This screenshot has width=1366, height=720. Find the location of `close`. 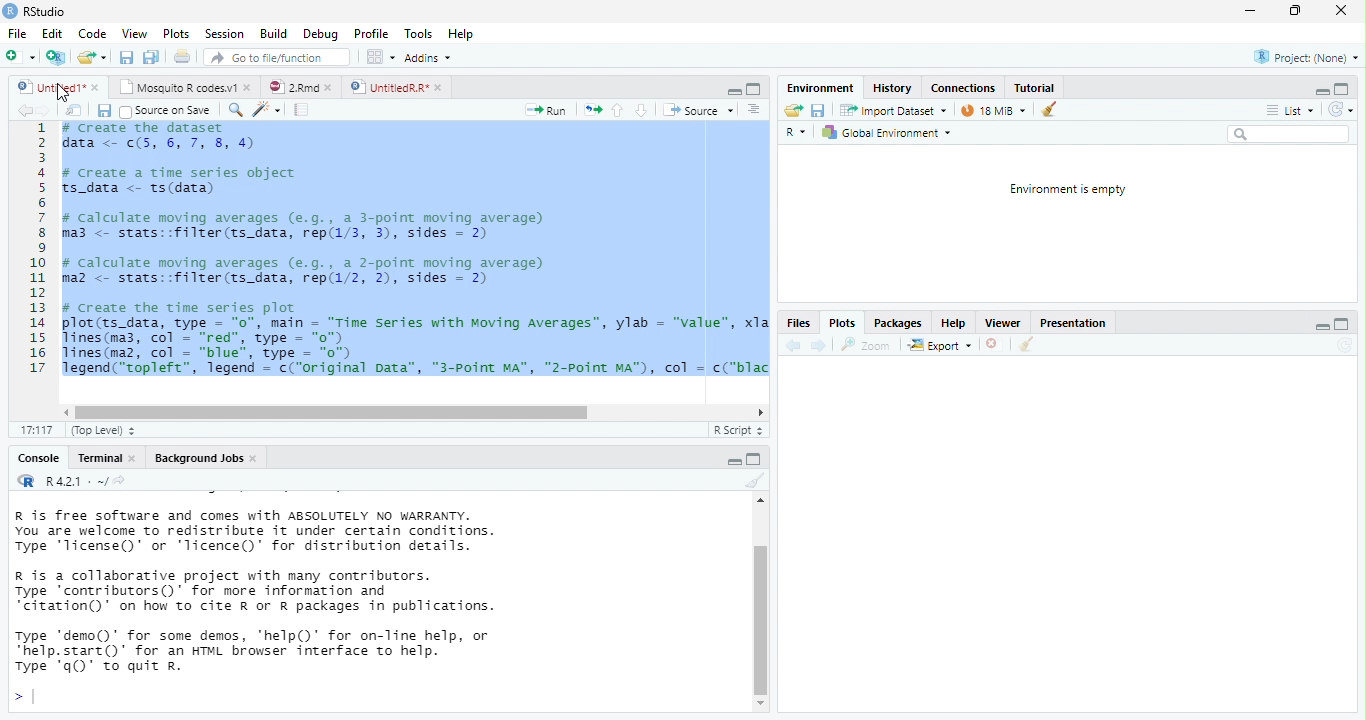

close is located at coordinates (250, 86).